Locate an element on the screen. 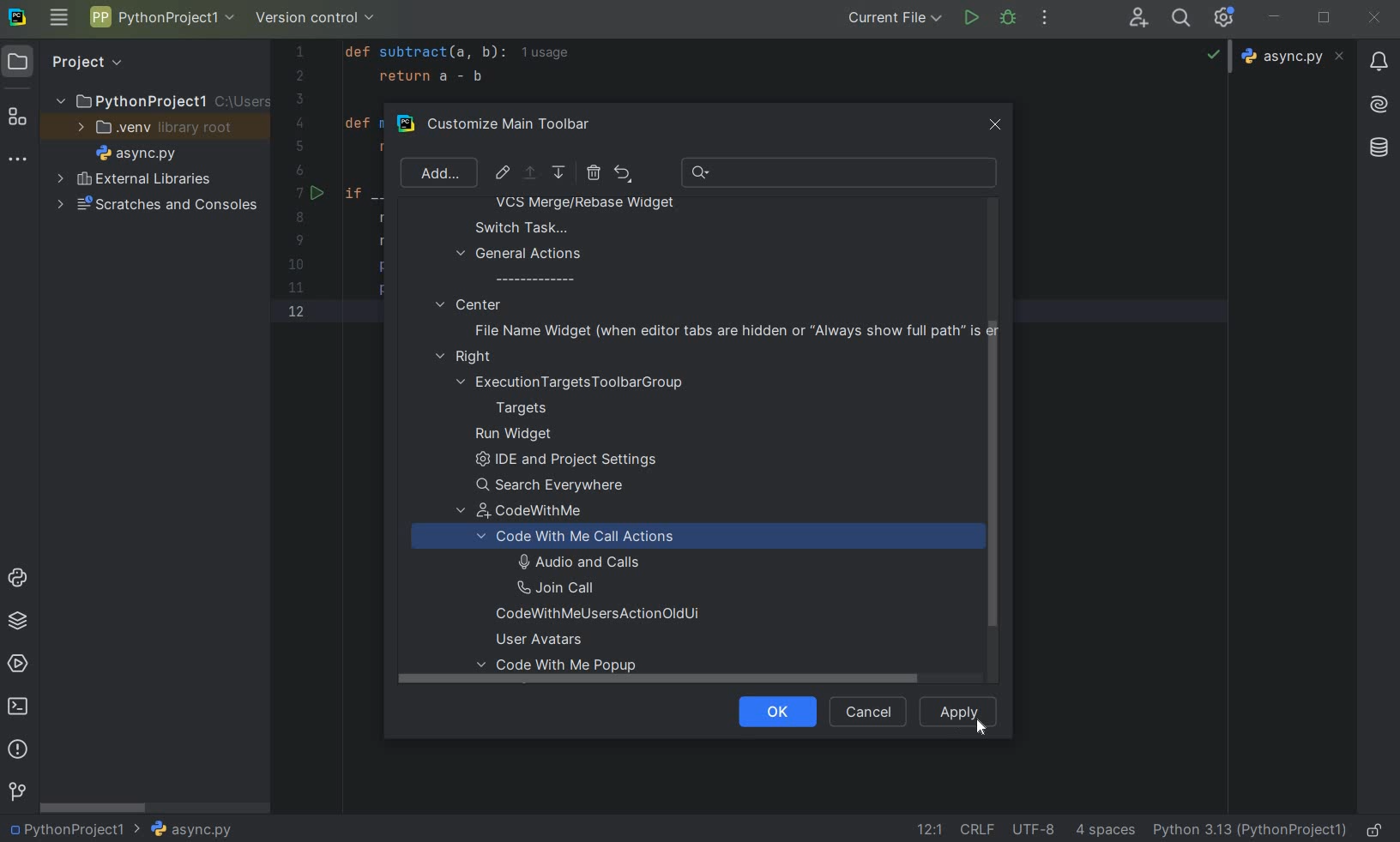 Image resolution: width=1400 pixels, height=842 pixels. close window is located at coordinates (997, 122).